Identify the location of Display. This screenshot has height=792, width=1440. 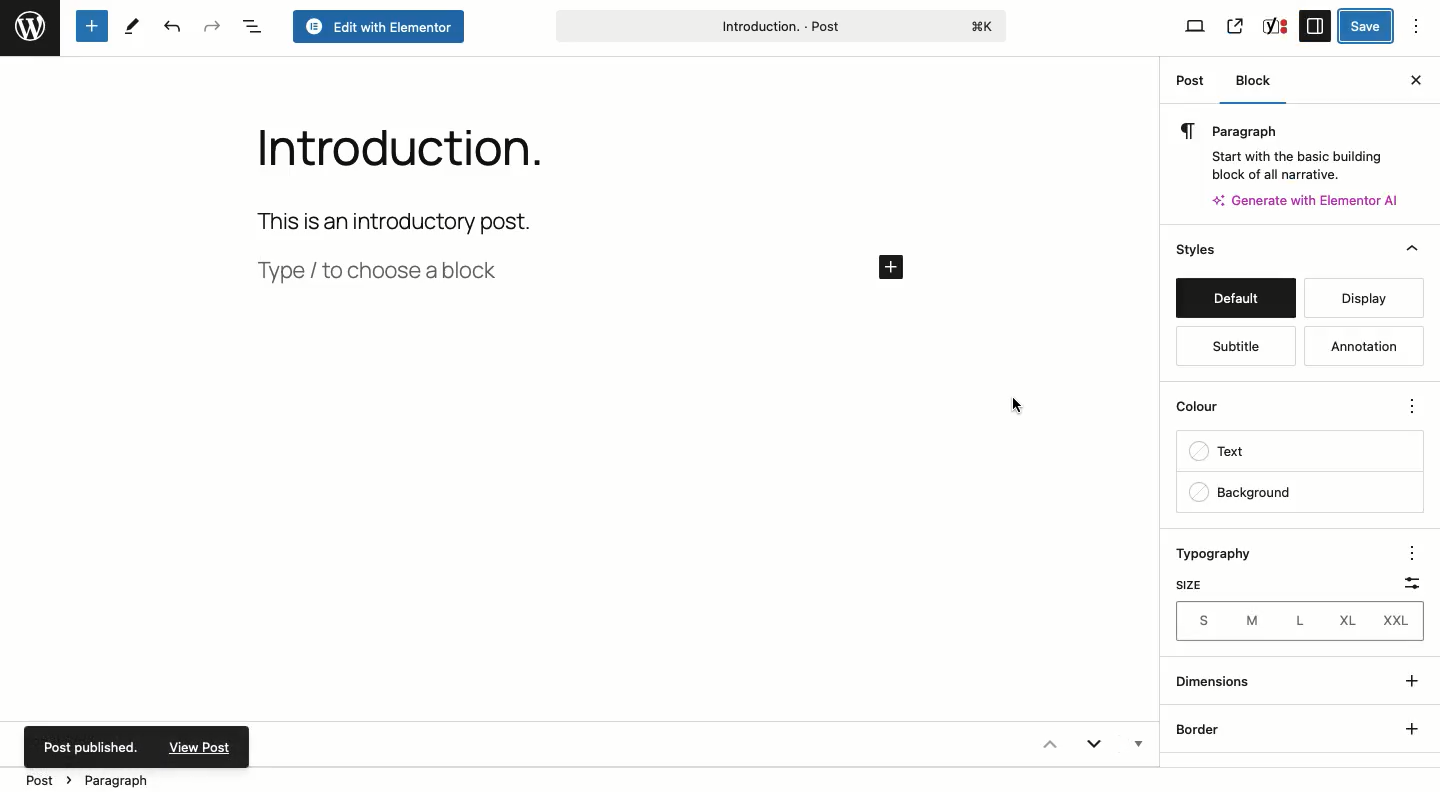
(1357, 298).